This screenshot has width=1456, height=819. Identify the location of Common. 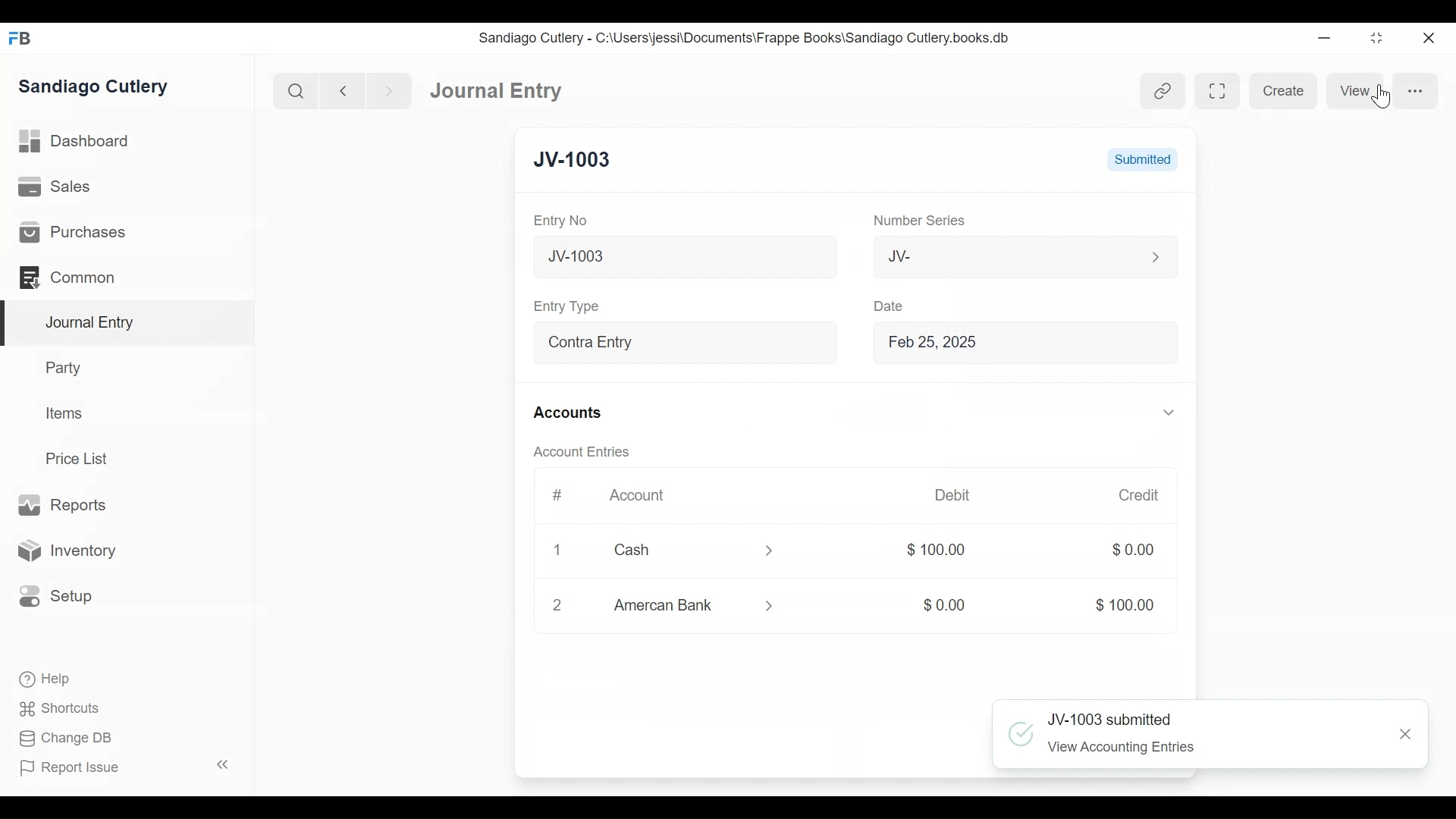
(68, 276).